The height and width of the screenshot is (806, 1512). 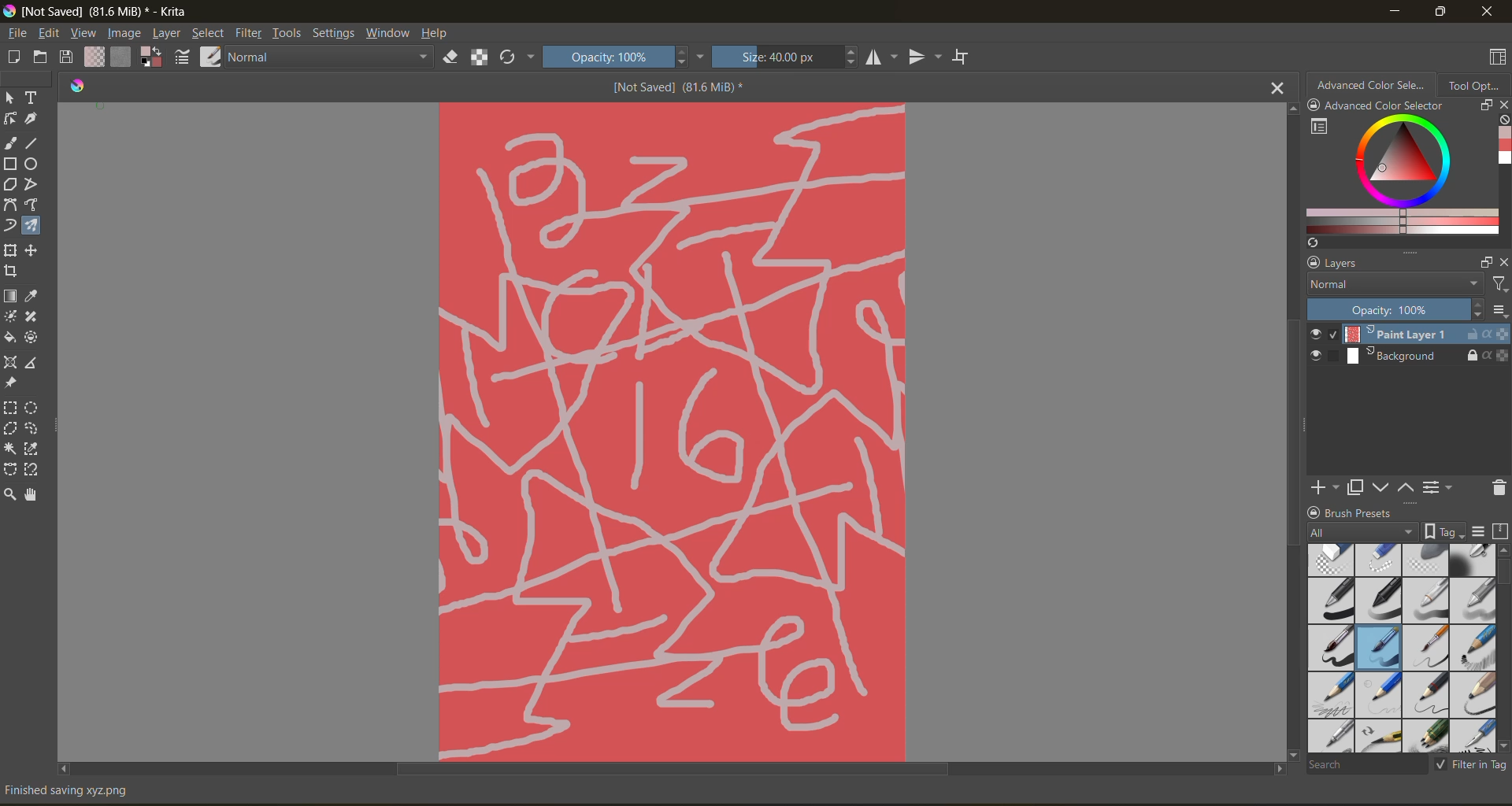 What do you see at coordinates (784, 57) in the screenshot?
I see `size` at bounding box center [784, 57].